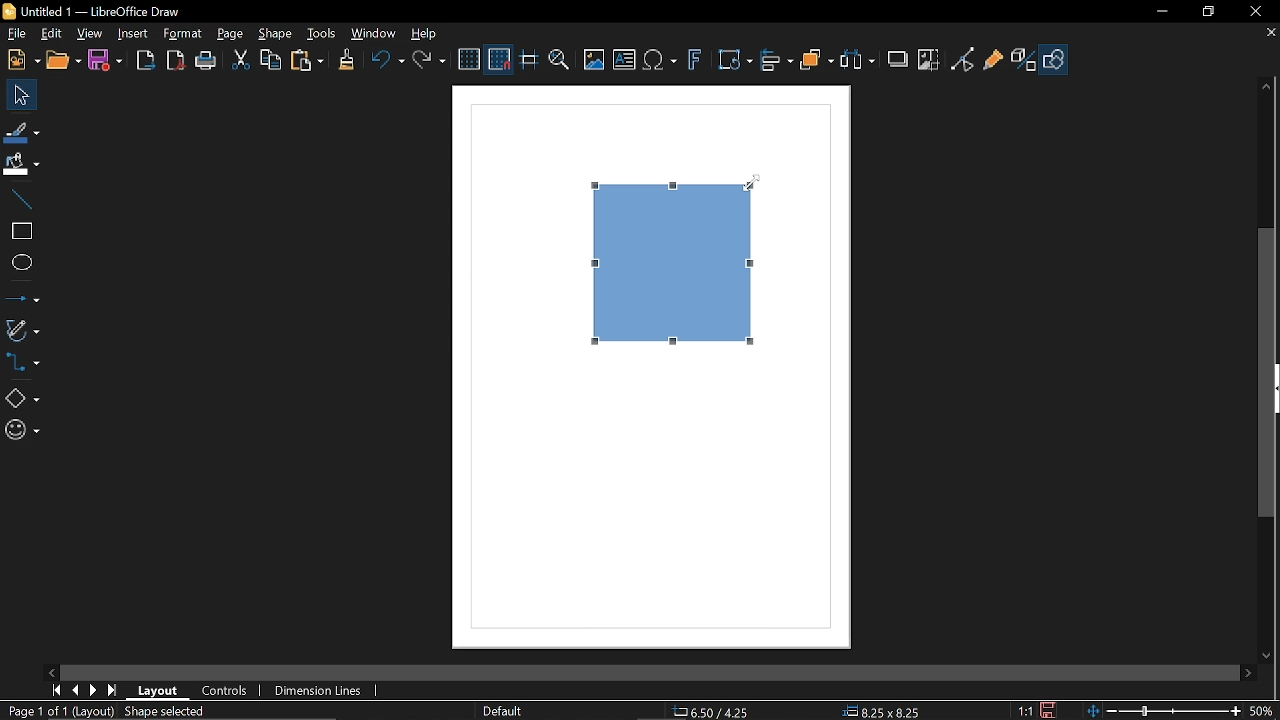 This screenshot has width=1280, height=720. I want to click on Open, so click(63, 62).